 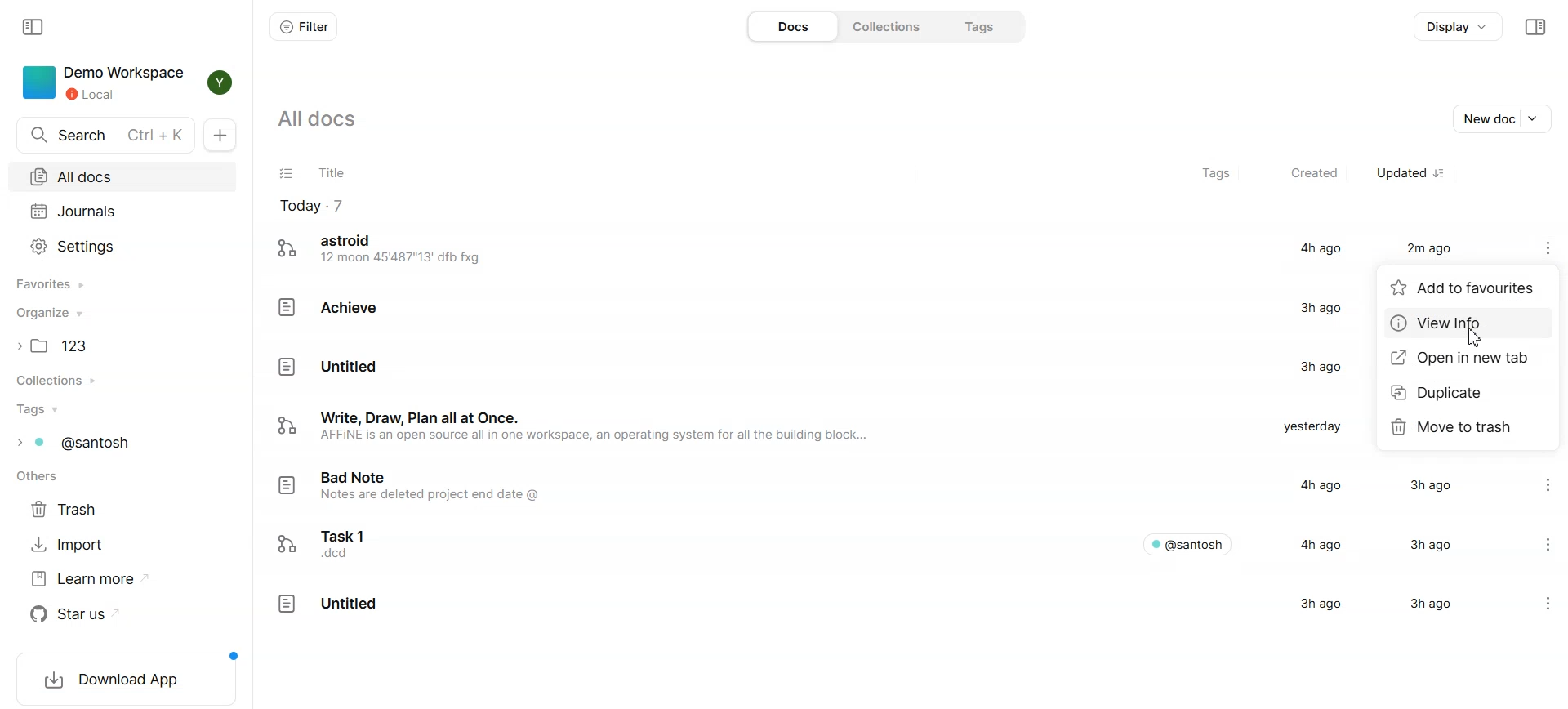 What do you see at coordinates (1550, 256) in the screenshot?
I see `Cursor on options` at bounding box center [1550, 256].